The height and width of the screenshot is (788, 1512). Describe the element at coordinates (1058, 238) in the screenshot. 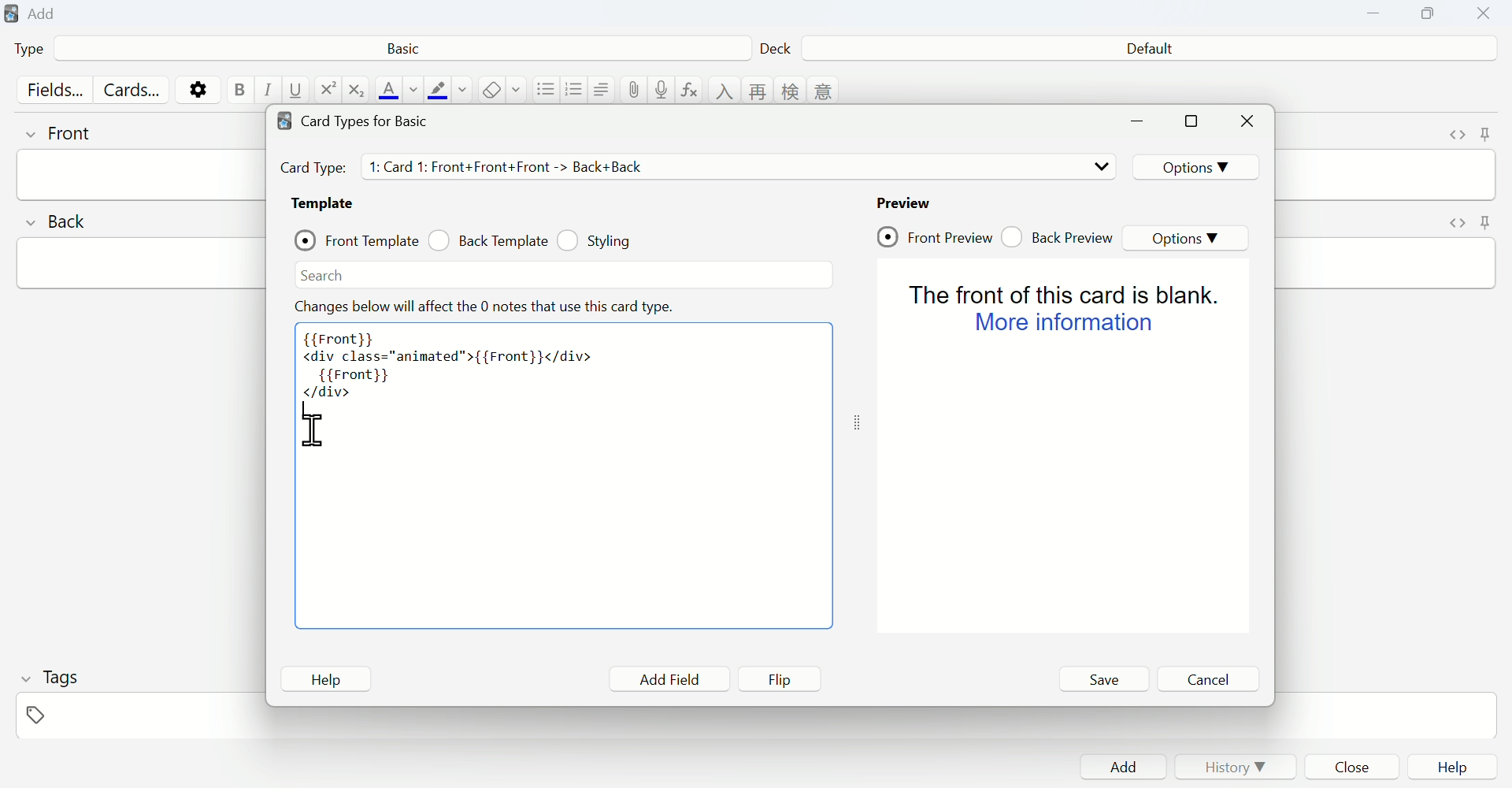

I see `Back Preview` at that location.